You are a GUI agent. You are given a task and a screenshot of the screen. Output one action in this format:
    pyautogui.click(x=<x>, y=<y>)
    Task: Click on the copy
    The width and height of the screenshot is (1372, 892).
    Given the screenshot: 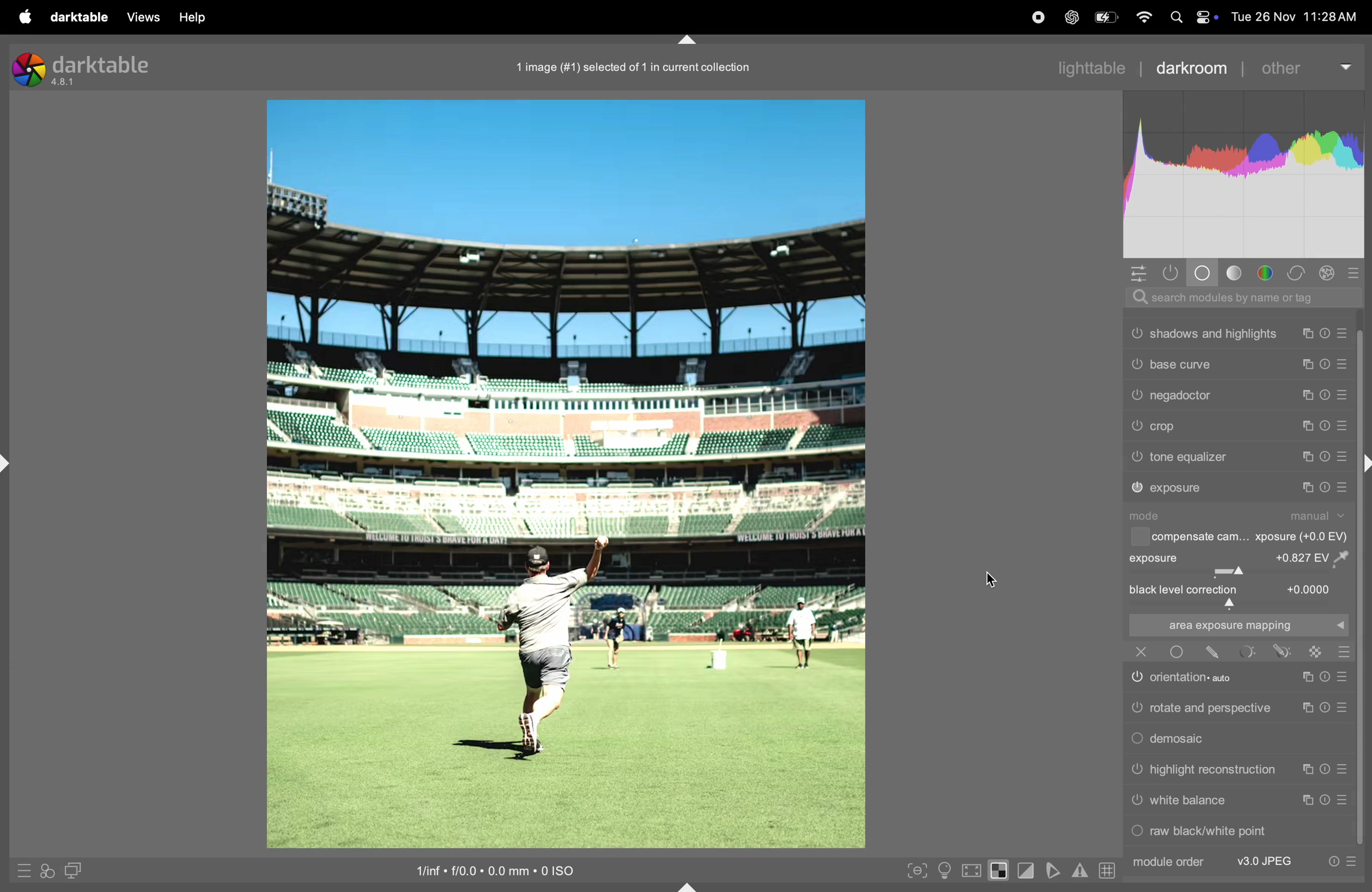 What is the action you would take?
    pyautogui.click(x=1305, y=709)
    